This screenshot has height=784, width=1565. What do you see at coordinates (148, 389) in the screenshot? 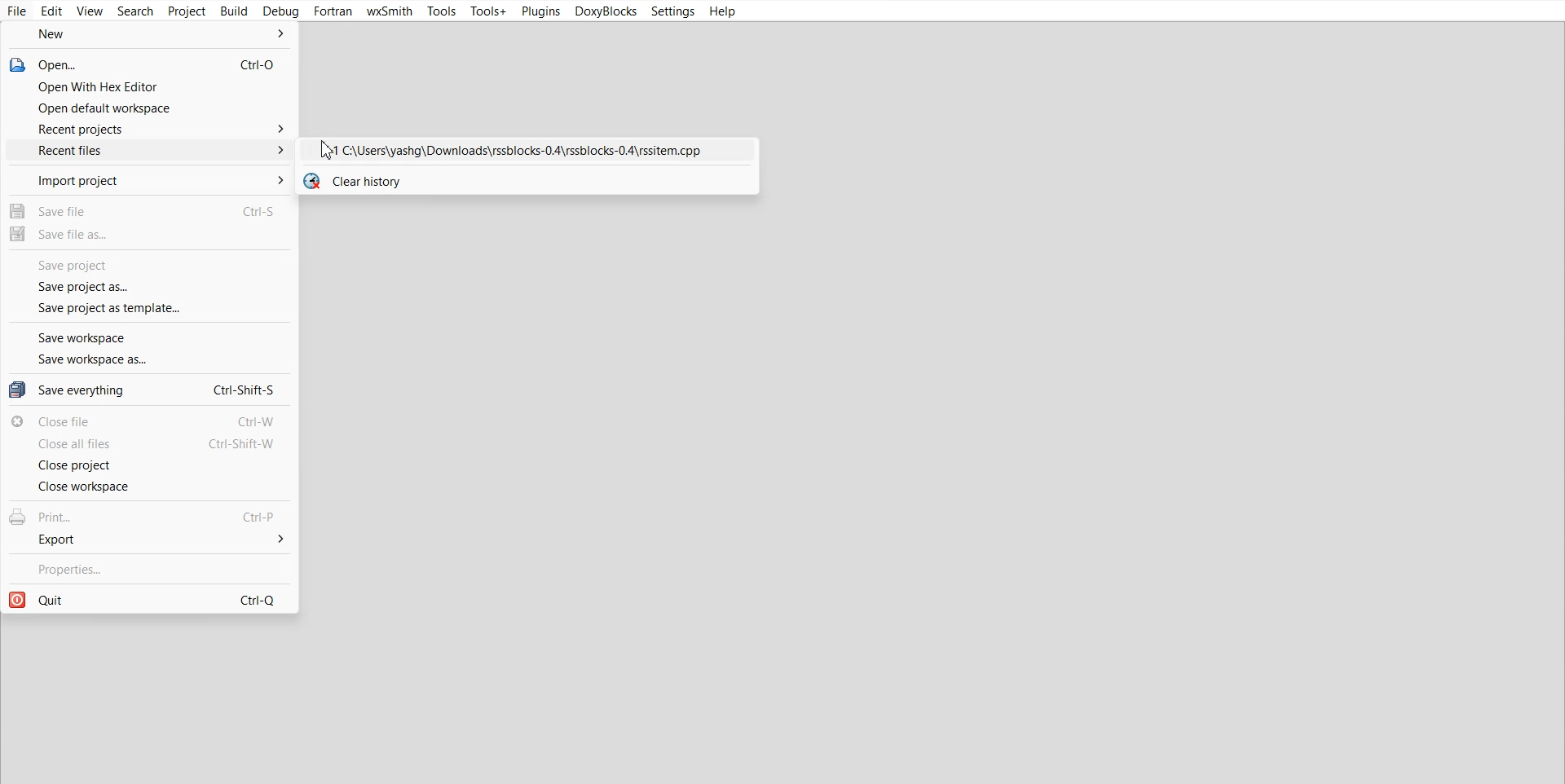
I see `Save Everything` at bounding box center [148, 389].